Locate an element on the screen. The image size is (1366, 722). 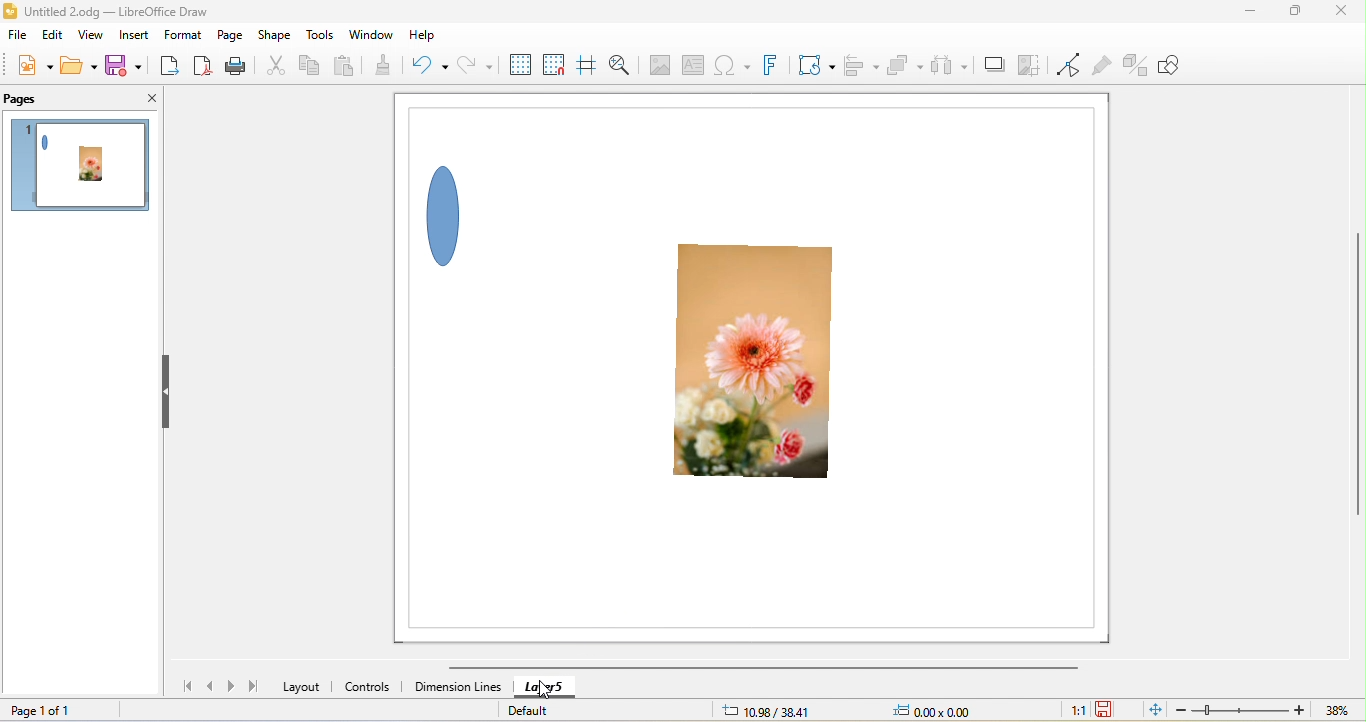
crop image is located at coordinates (1028, 66).